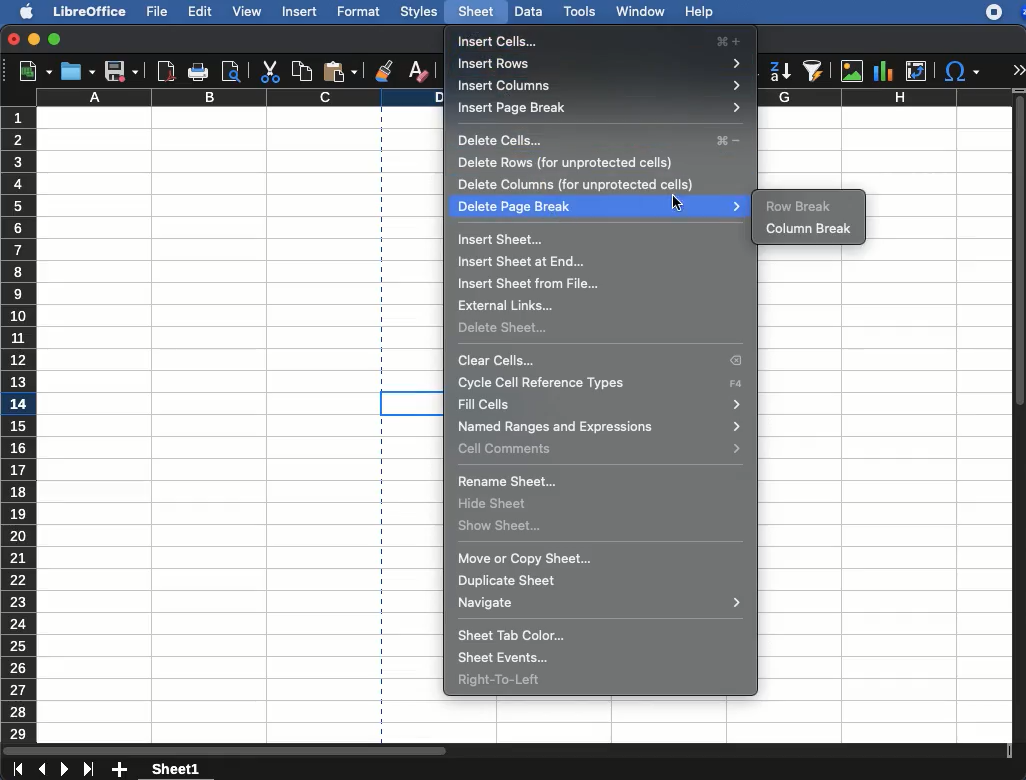  Describe the element at coordinates (700, 12) in the screenshot. I see `help` at that location.